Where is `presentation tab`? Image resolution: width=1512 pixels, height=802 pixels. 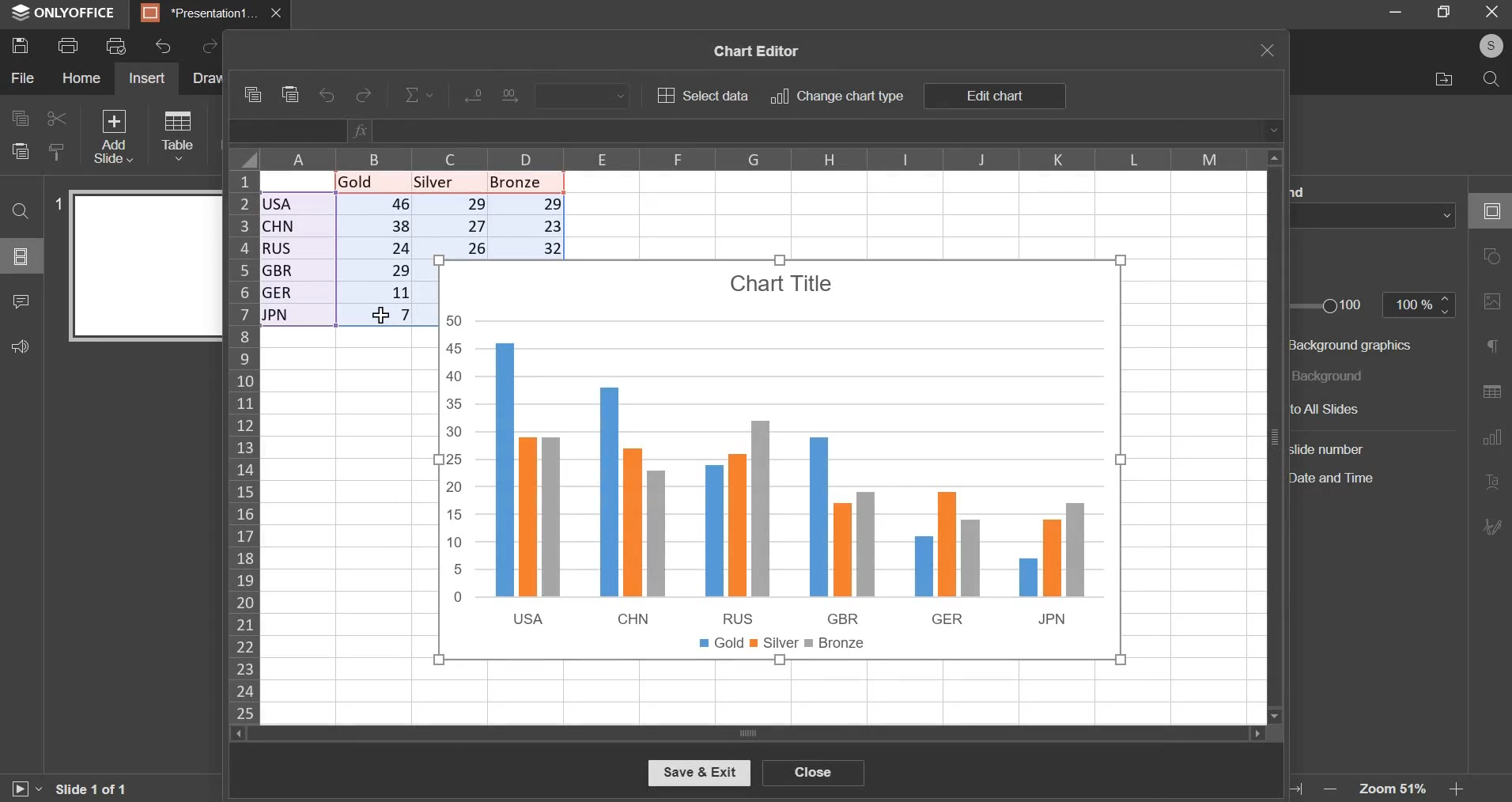
presentation tab is located at coordinates (201, 13).